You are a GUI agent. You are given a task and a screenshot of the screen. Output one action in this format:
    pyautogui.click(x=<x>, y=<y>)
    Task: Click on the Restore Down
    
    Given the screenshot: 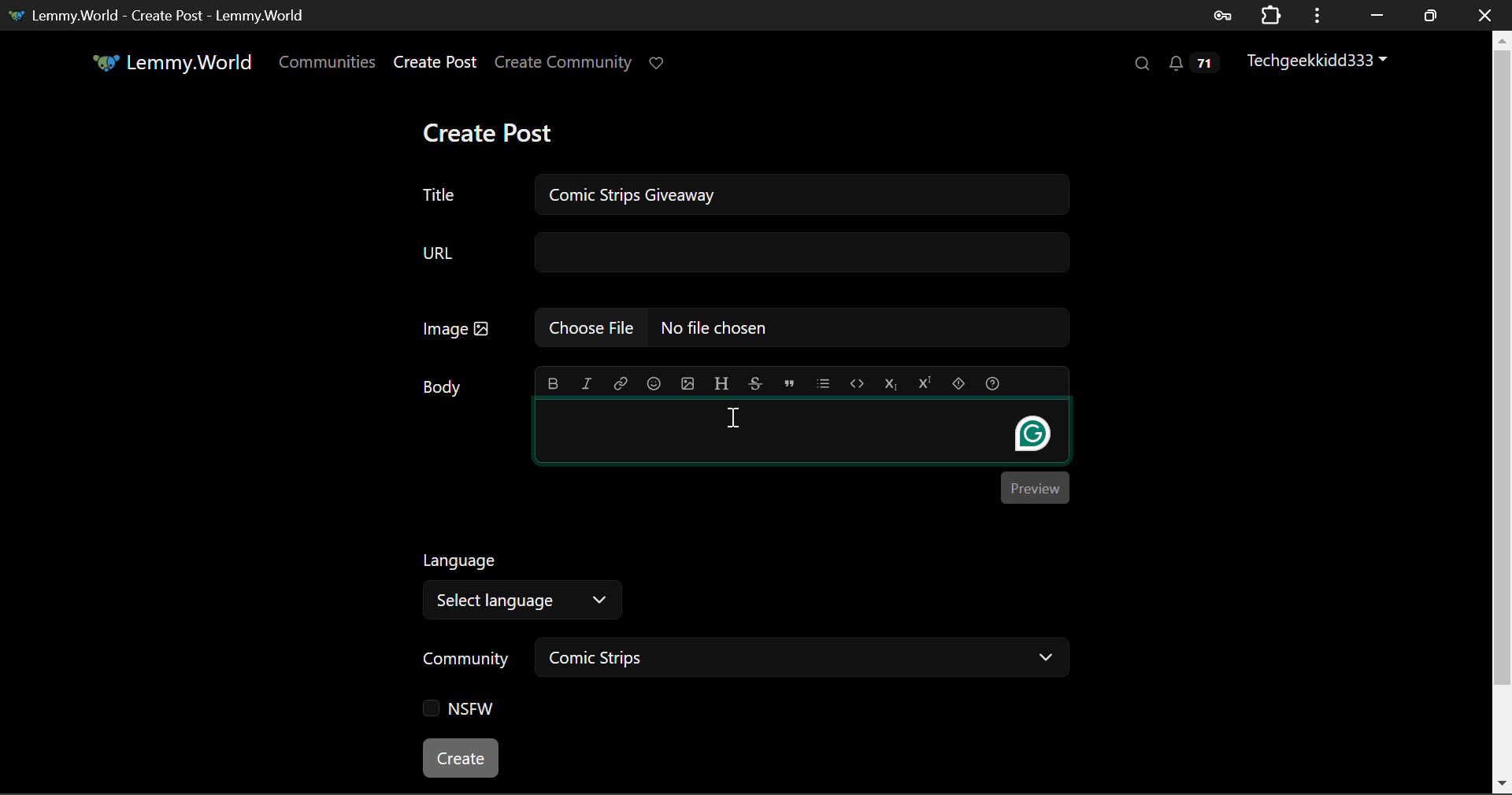 What is the action you would take?
    pyautogui.click(x=1377, y=14)
    